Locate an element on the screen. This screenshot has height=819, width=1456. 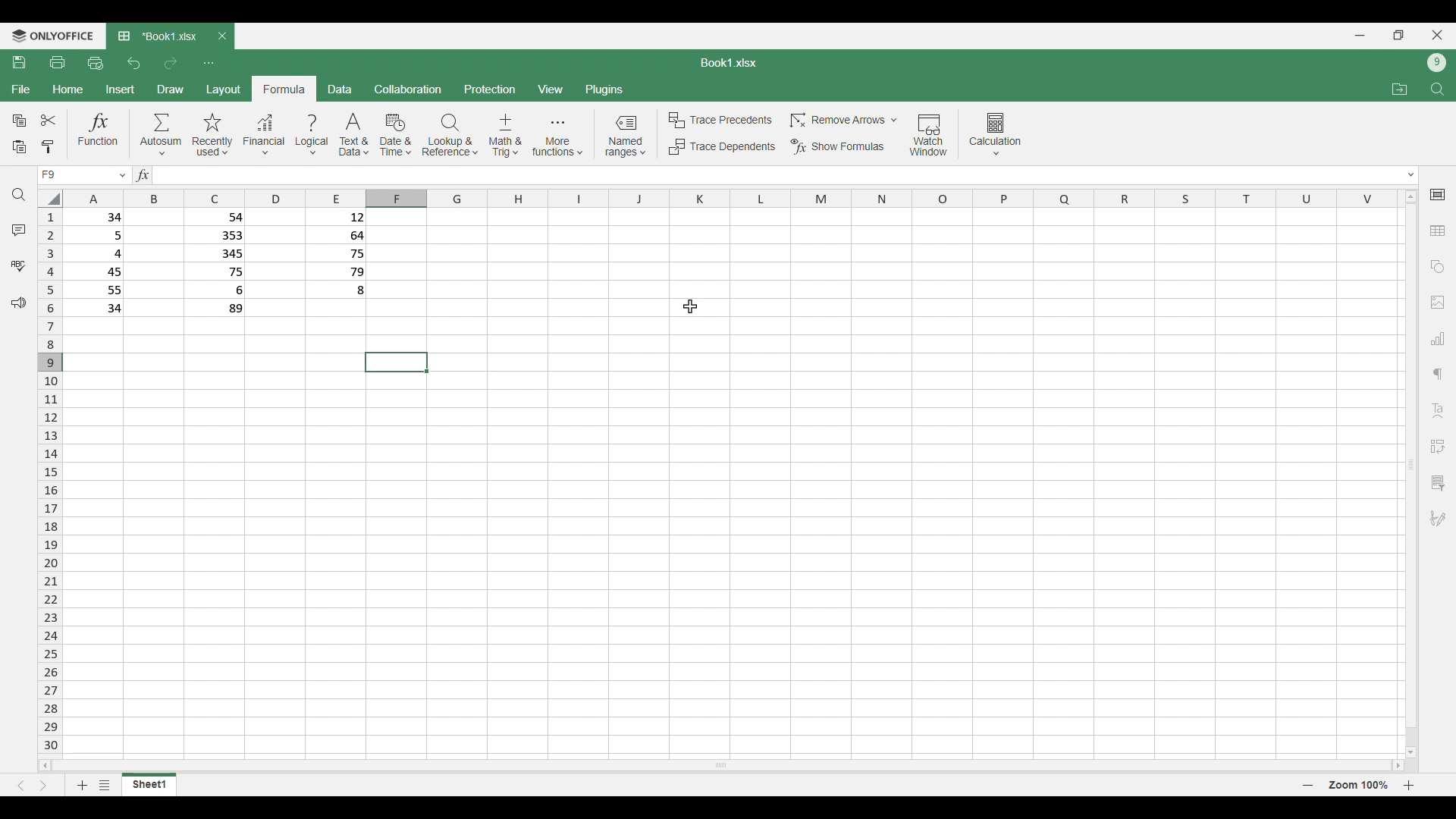
Previous is located at coordinates (20, 786).